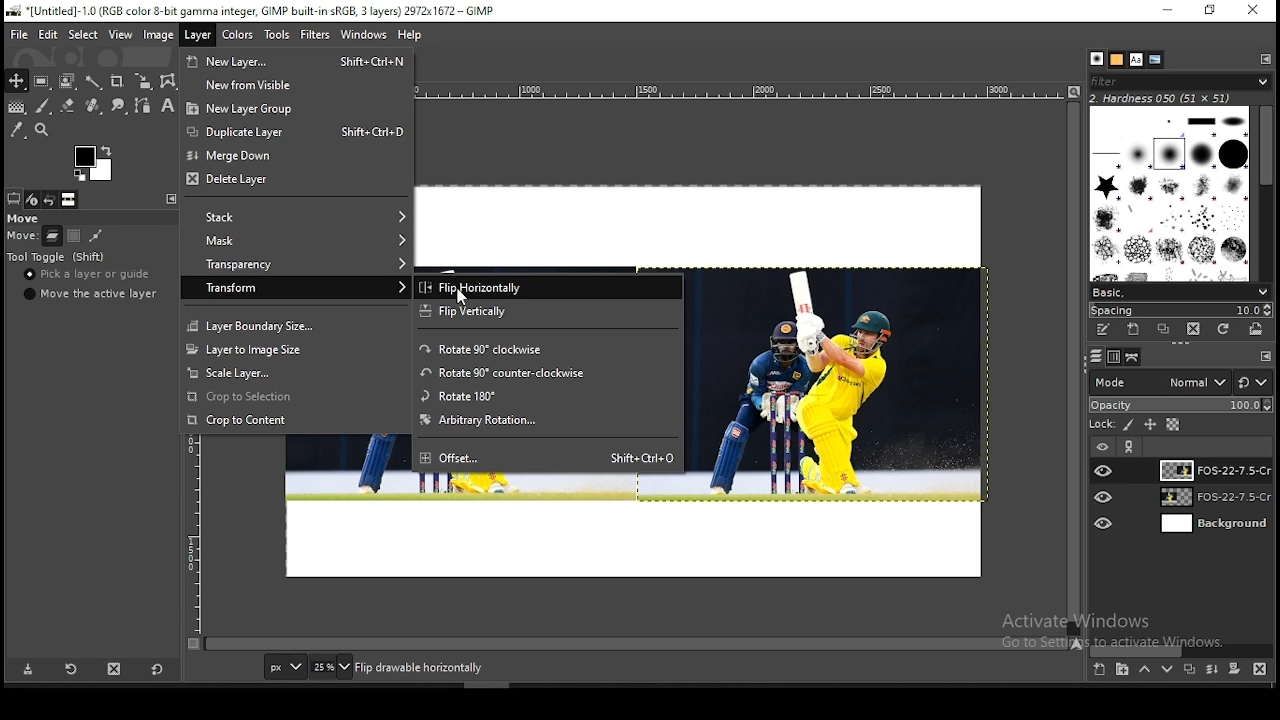  What do you see at coordinates (93, 163) in the screenshot?
I see `colors` at bounding box center [93, 163].